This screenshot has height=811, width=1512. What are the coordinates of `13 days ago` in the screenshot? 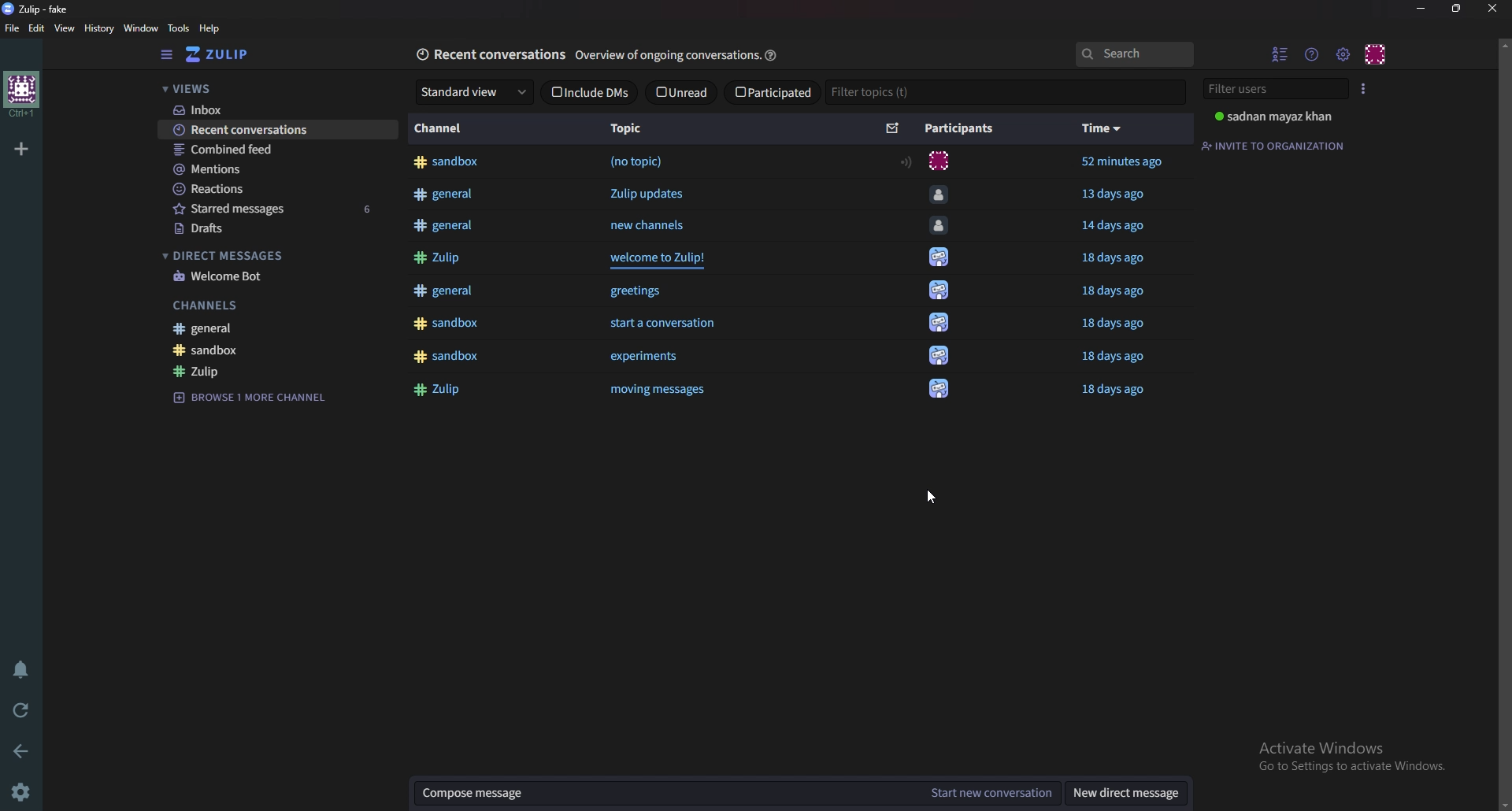 It's located at (1113, 194).